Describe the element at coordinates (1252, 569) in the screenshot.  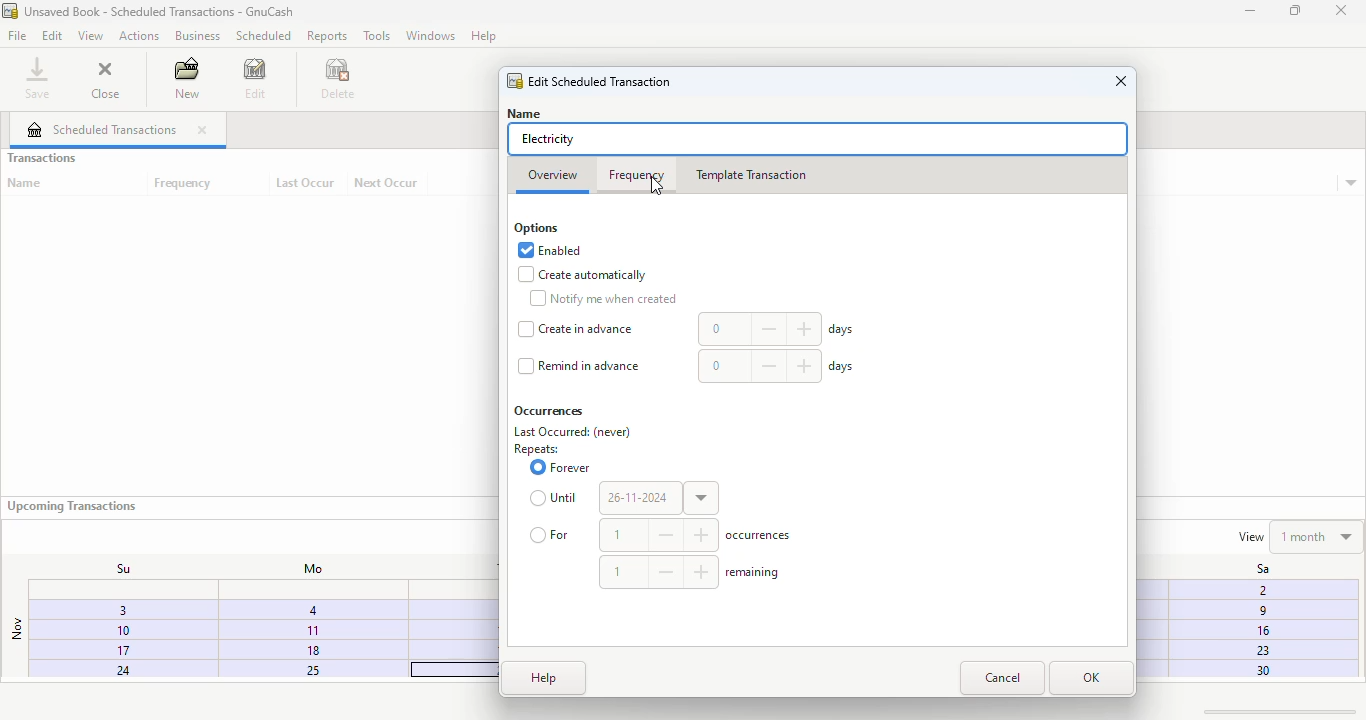
I see `Sa` at that location.